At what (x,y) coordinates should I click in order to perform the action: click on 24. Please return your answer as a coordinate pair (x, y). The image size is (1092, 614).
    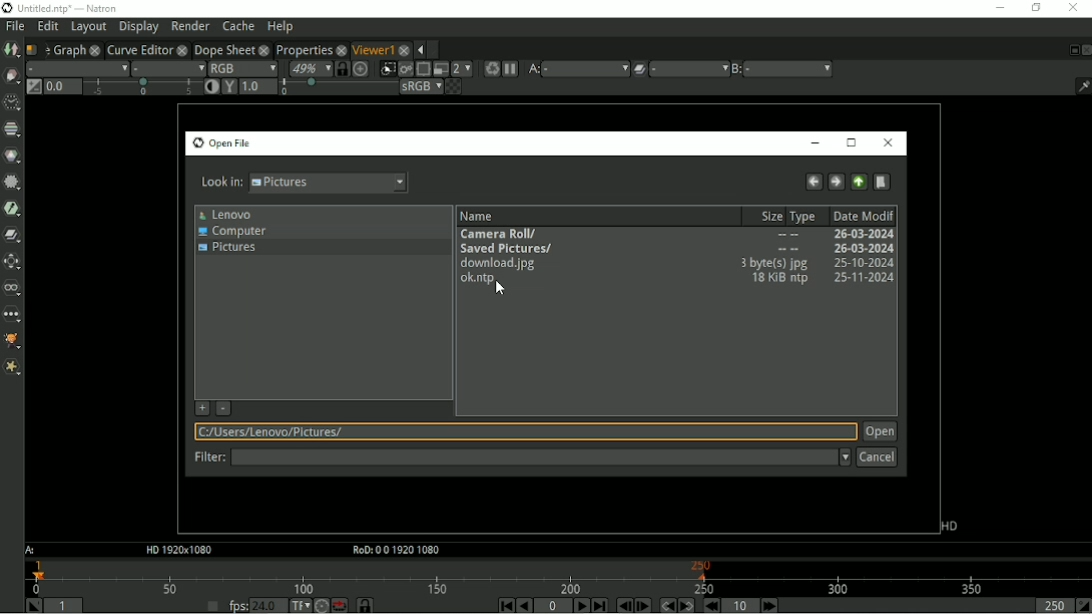
    Looking at the image, I should click on (268, 605).